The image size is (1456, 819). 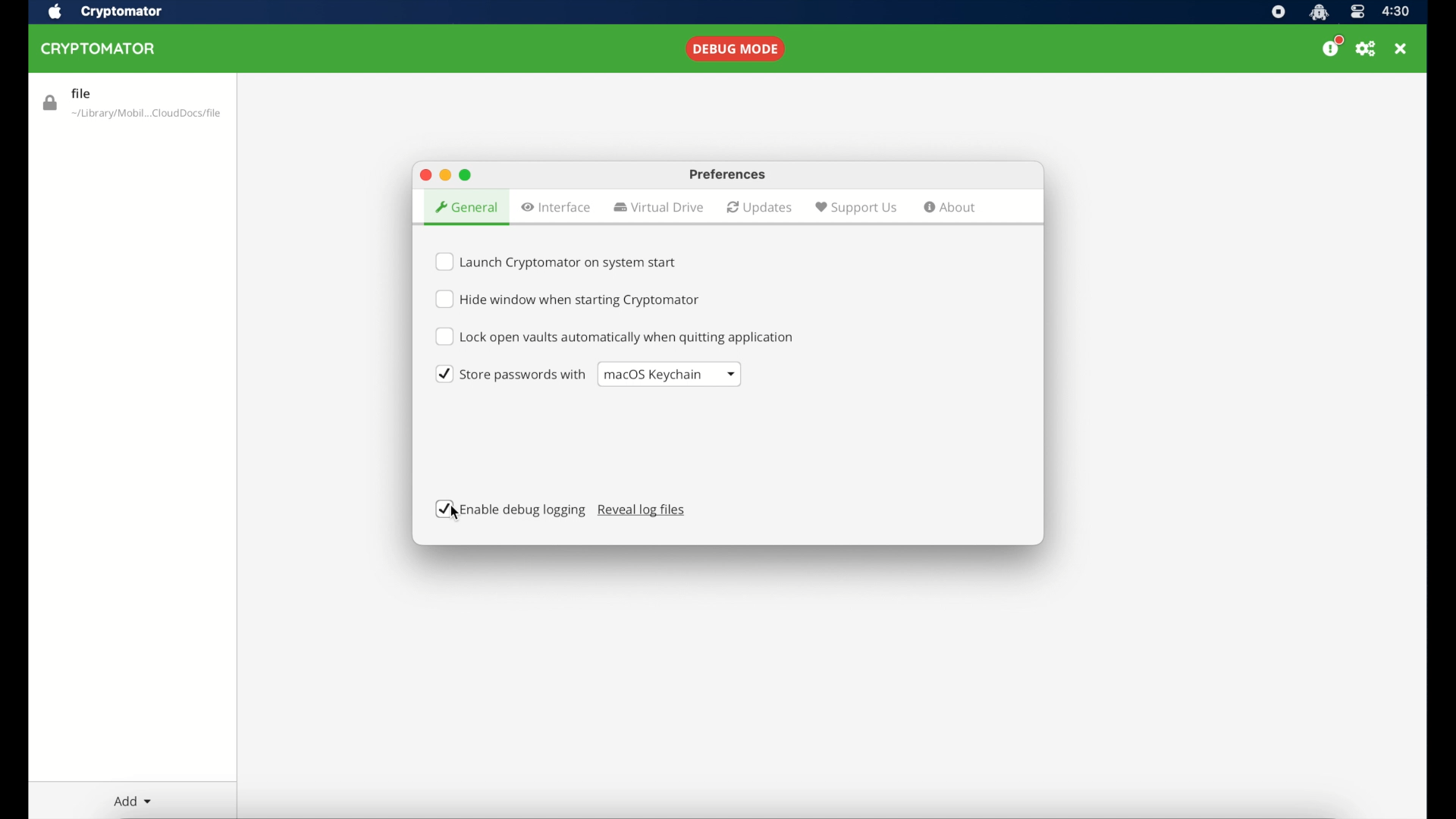 I want to click on screen recorder icon, so click(x=1279, y=12).